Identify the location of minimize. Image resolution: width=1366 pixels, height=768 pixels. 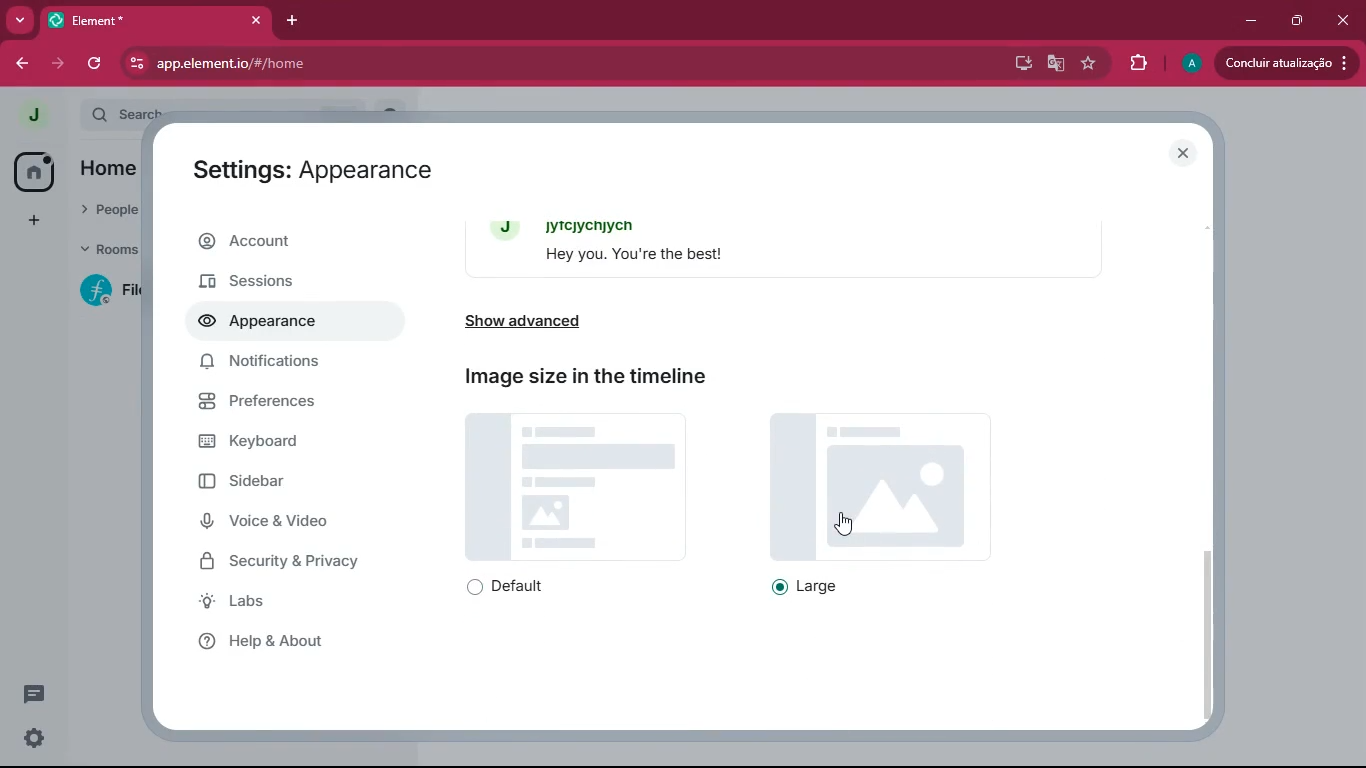
(1252, 19).